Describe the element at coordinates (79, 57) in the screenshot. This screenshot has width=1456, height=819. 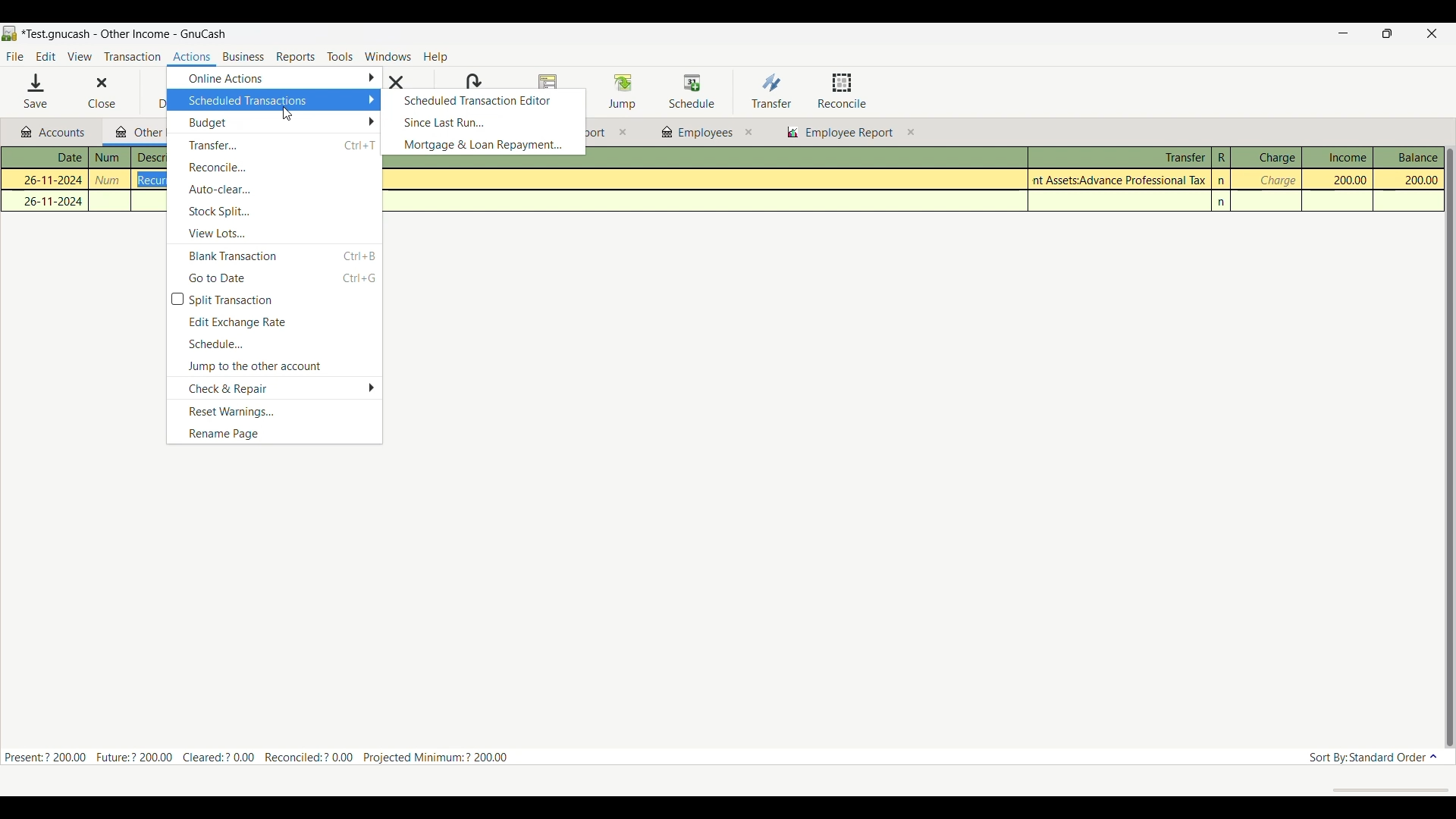
I see `View menu` at that location.